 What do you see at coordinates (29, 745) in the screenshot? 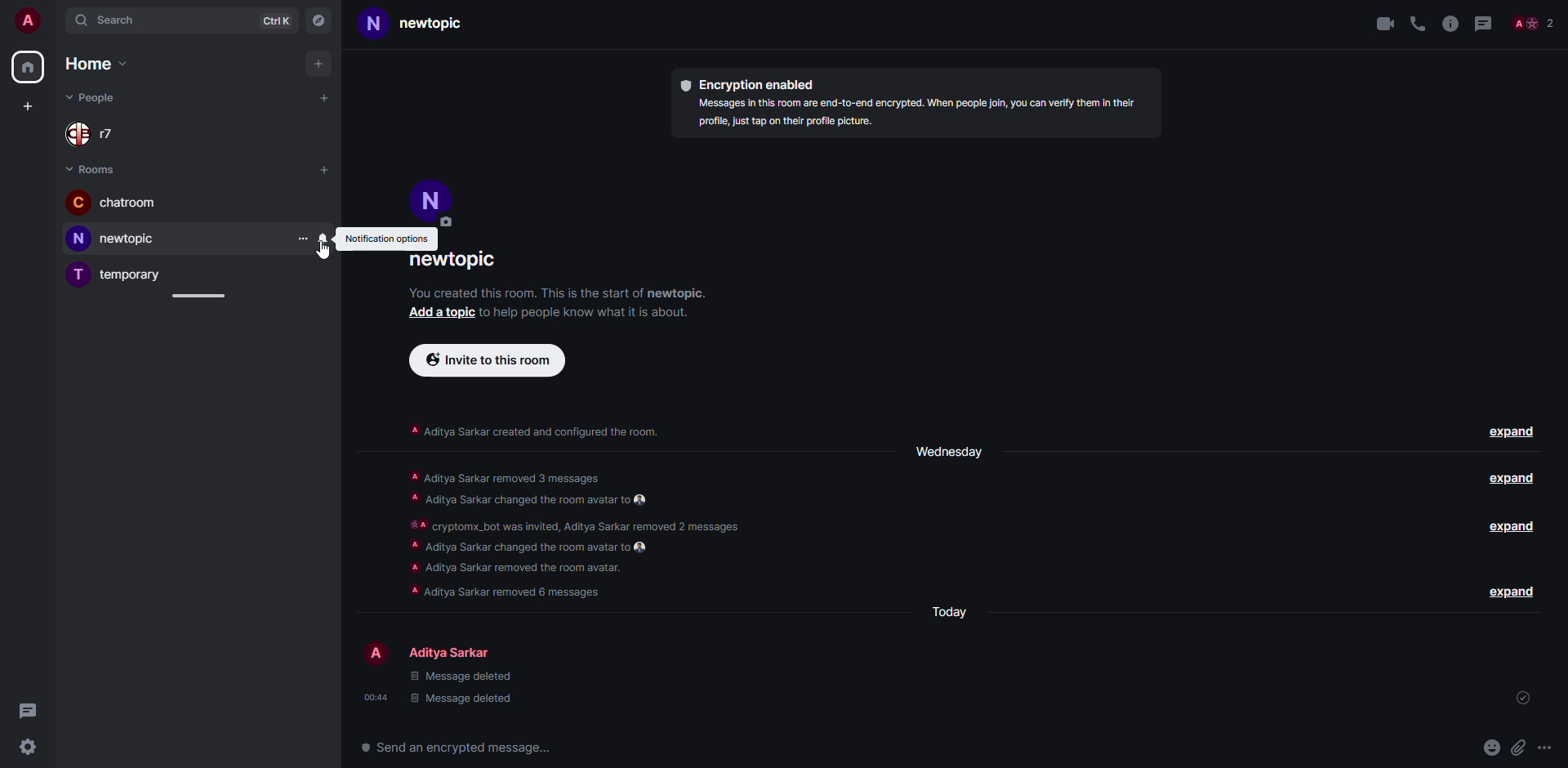
I see `settings` at bounding box center [29, 745].